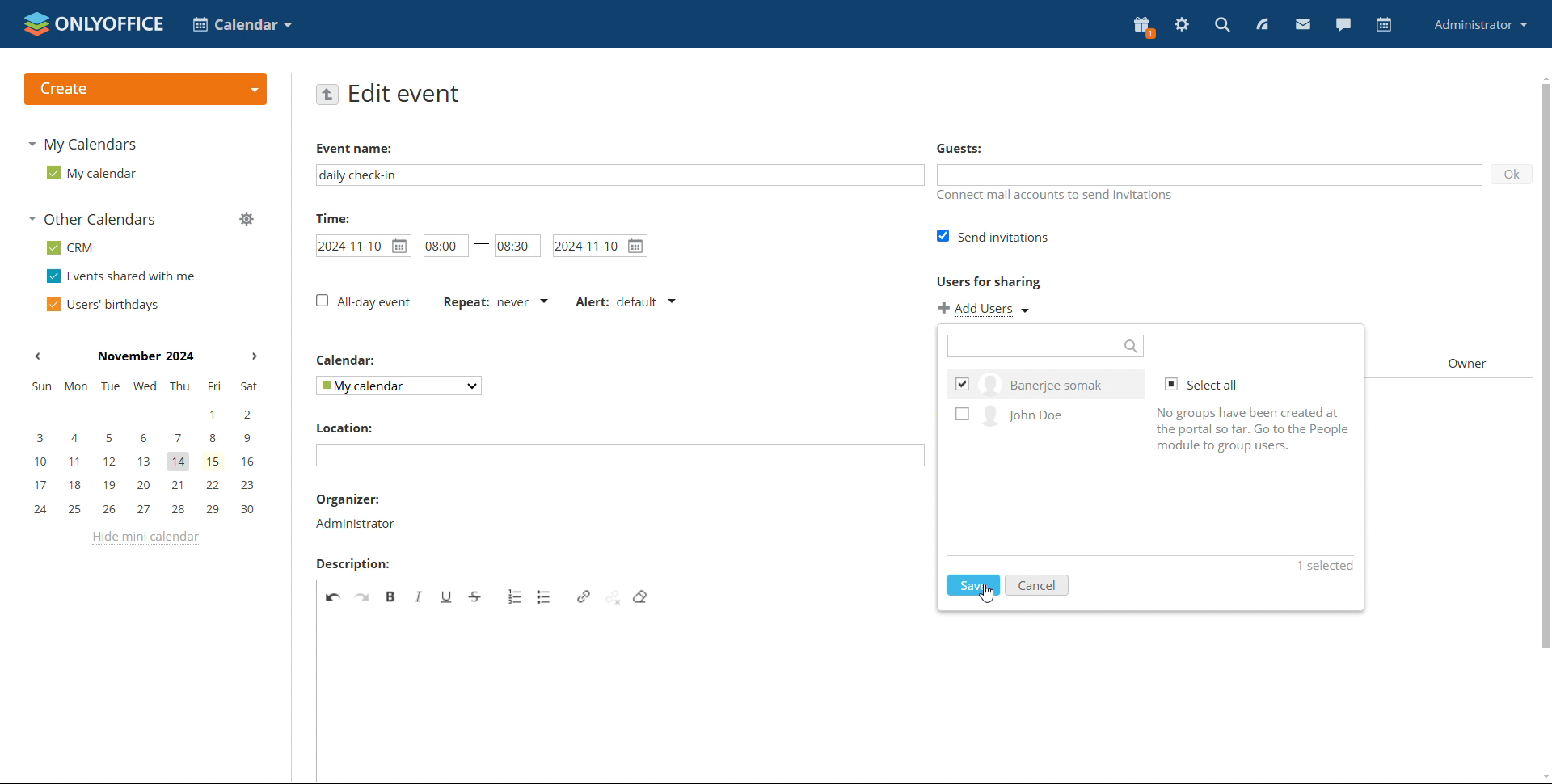  What do you see at coordinates (517, 243) in the screenshot?
I see `end time` at bounding box center [517, 243].